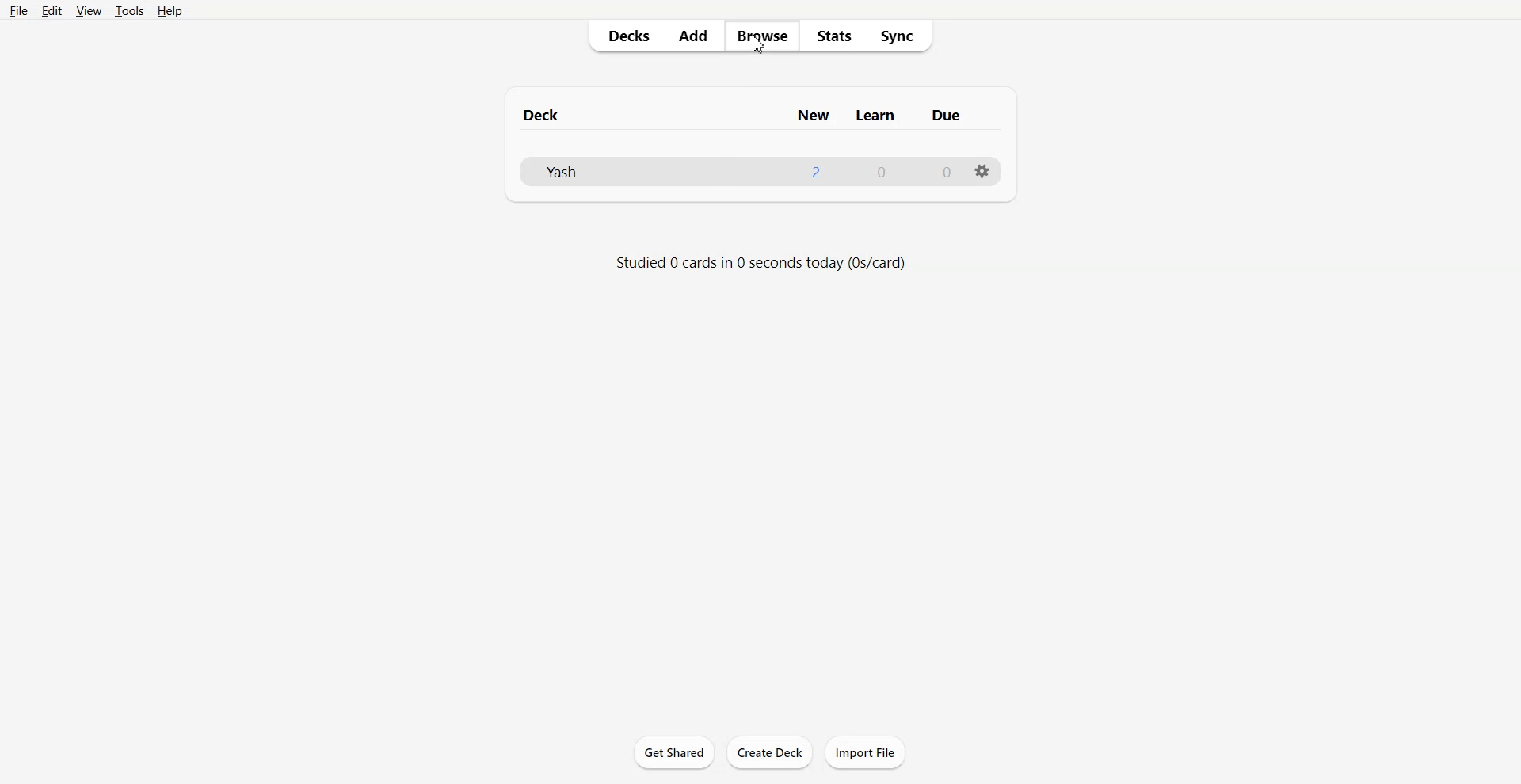  I want to click on 0, so click(881, 175).